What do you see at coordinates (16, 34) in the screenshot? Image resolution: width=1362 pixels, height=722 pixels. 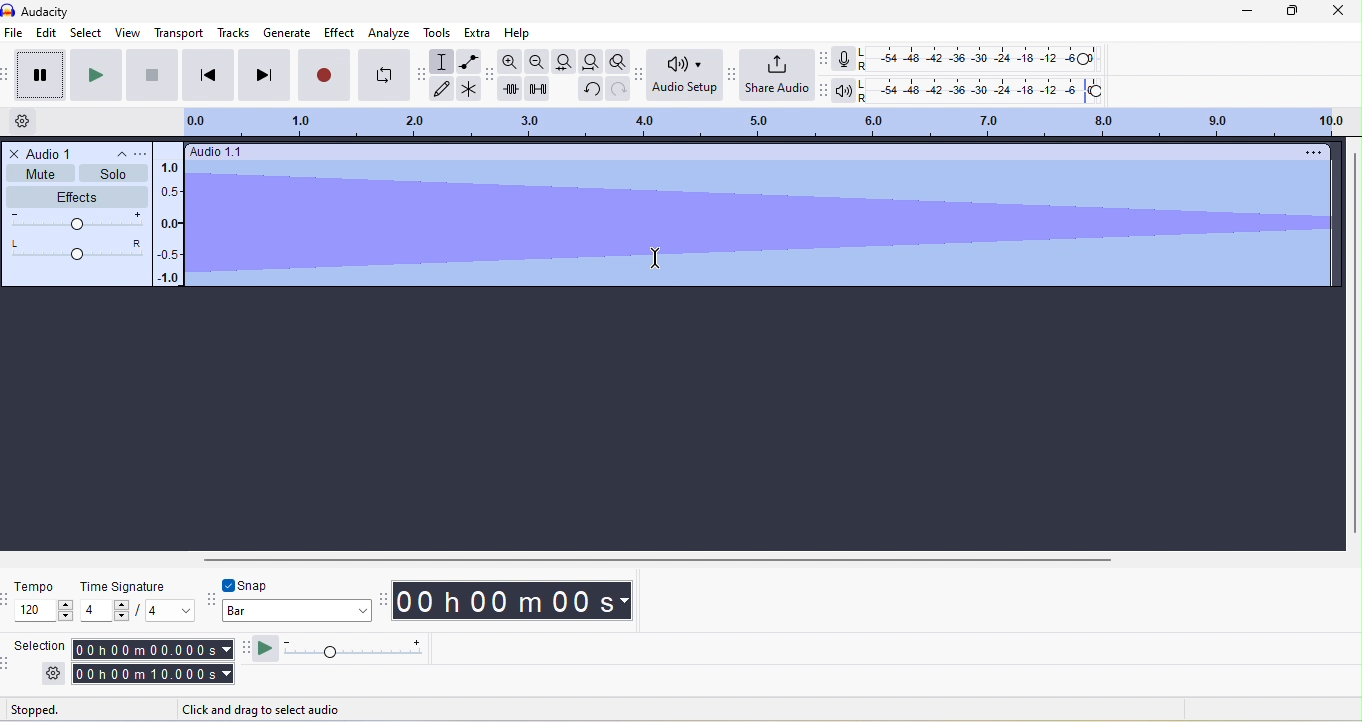 I see `file` at bounding box center [16, 34].